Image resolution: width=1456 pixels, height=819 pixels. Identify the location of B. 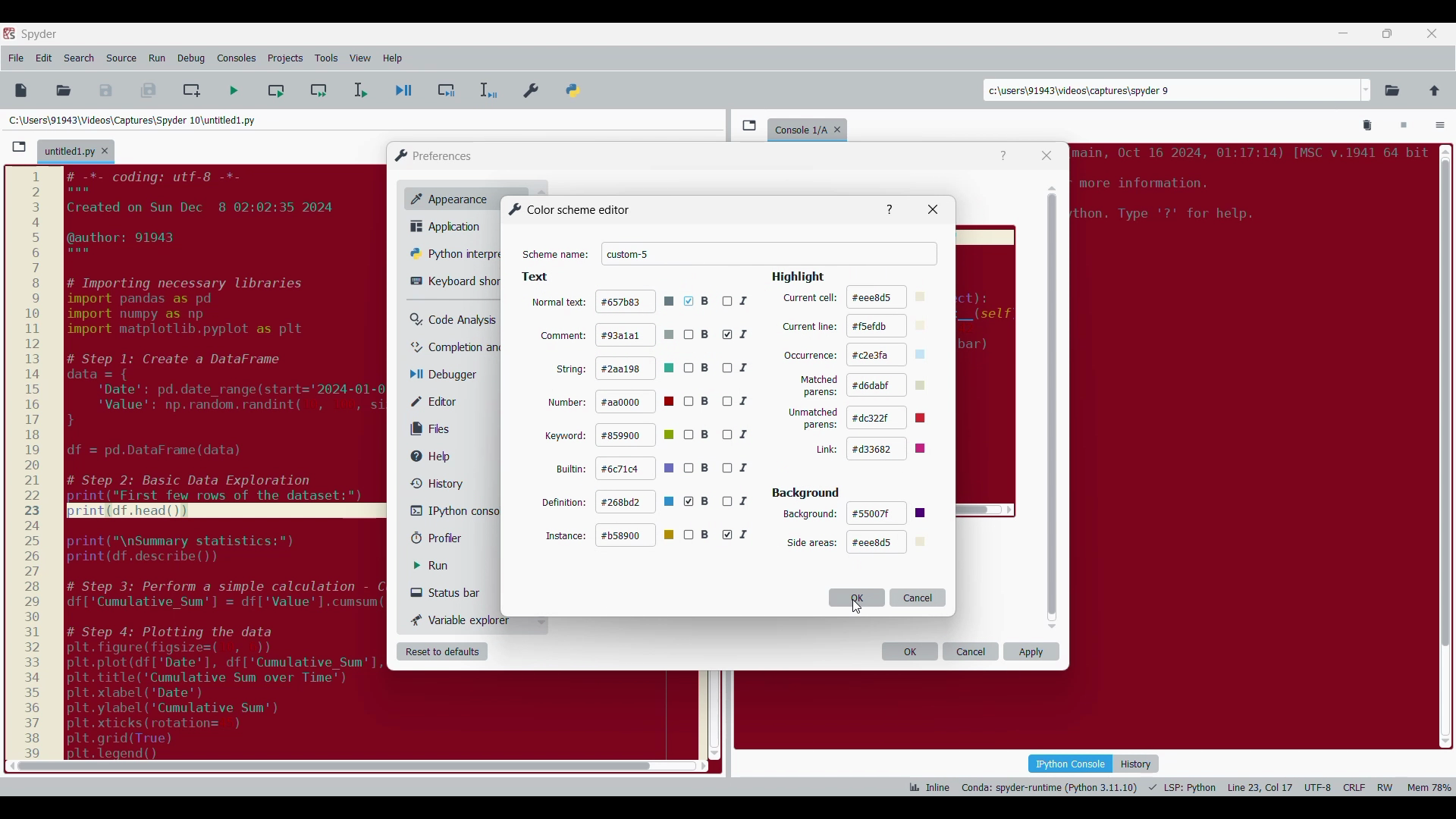
(697, 535).